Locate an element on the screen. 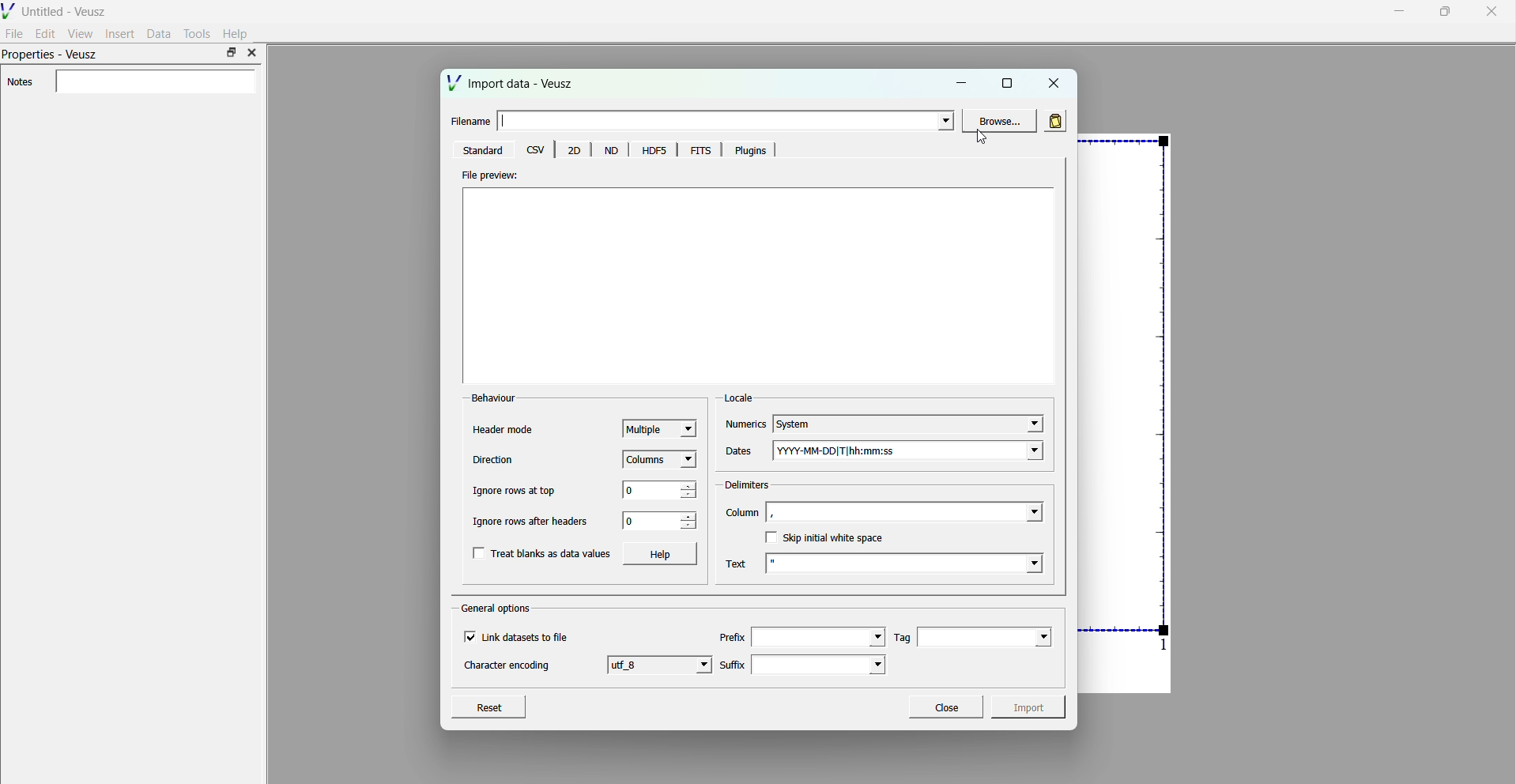  increase is located at coordinates (689, 486).